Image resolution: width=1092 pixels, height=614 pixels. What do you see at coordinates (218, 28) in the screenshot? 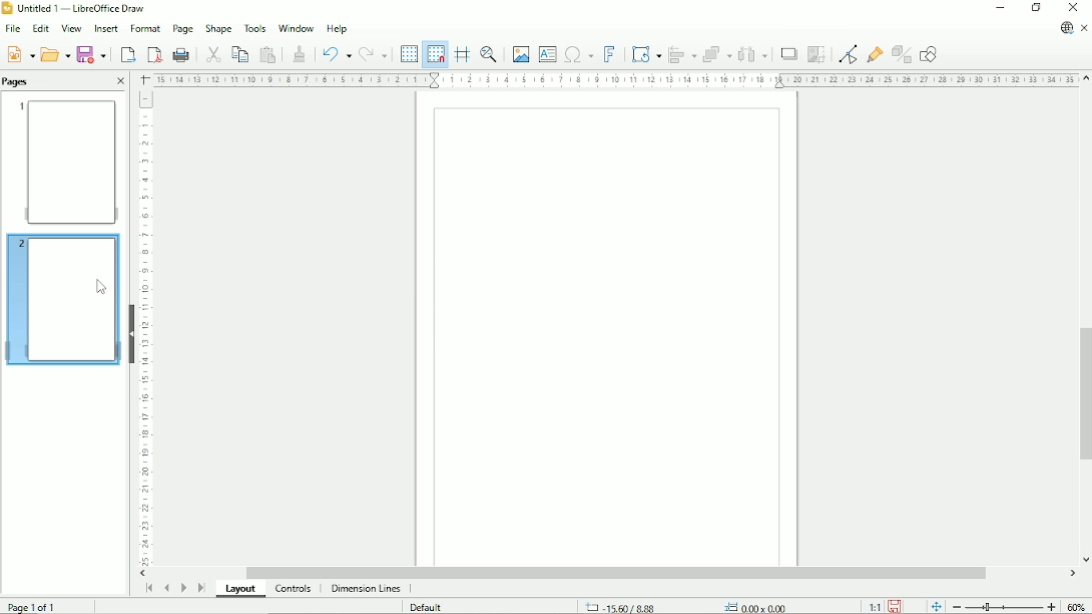
I see `Shape` at bounding box center [218, 28].